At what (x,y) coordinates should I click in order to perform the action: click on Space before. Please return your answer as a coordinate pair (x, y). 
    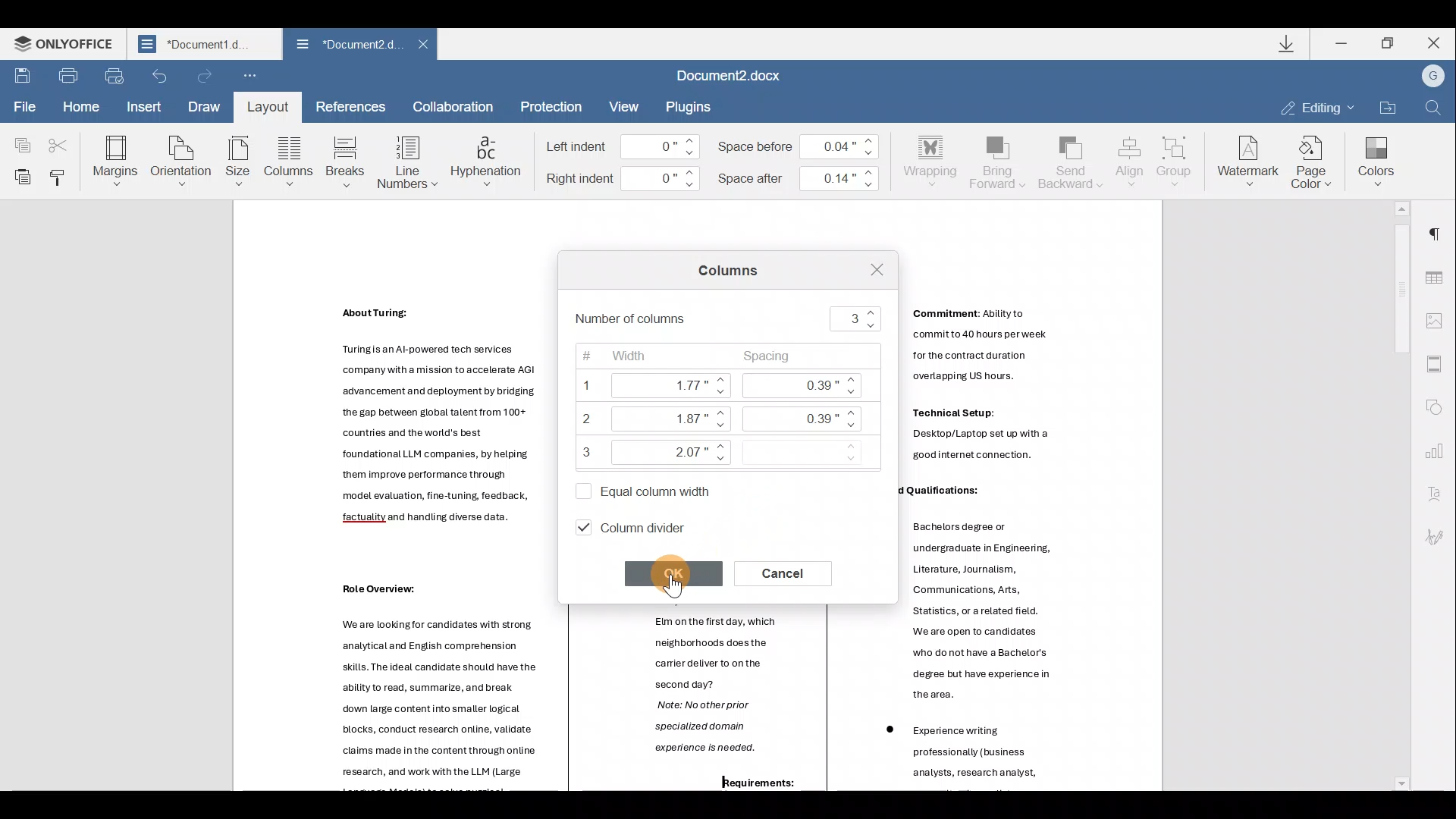
    Looking at the image, I should click on (804, 143).